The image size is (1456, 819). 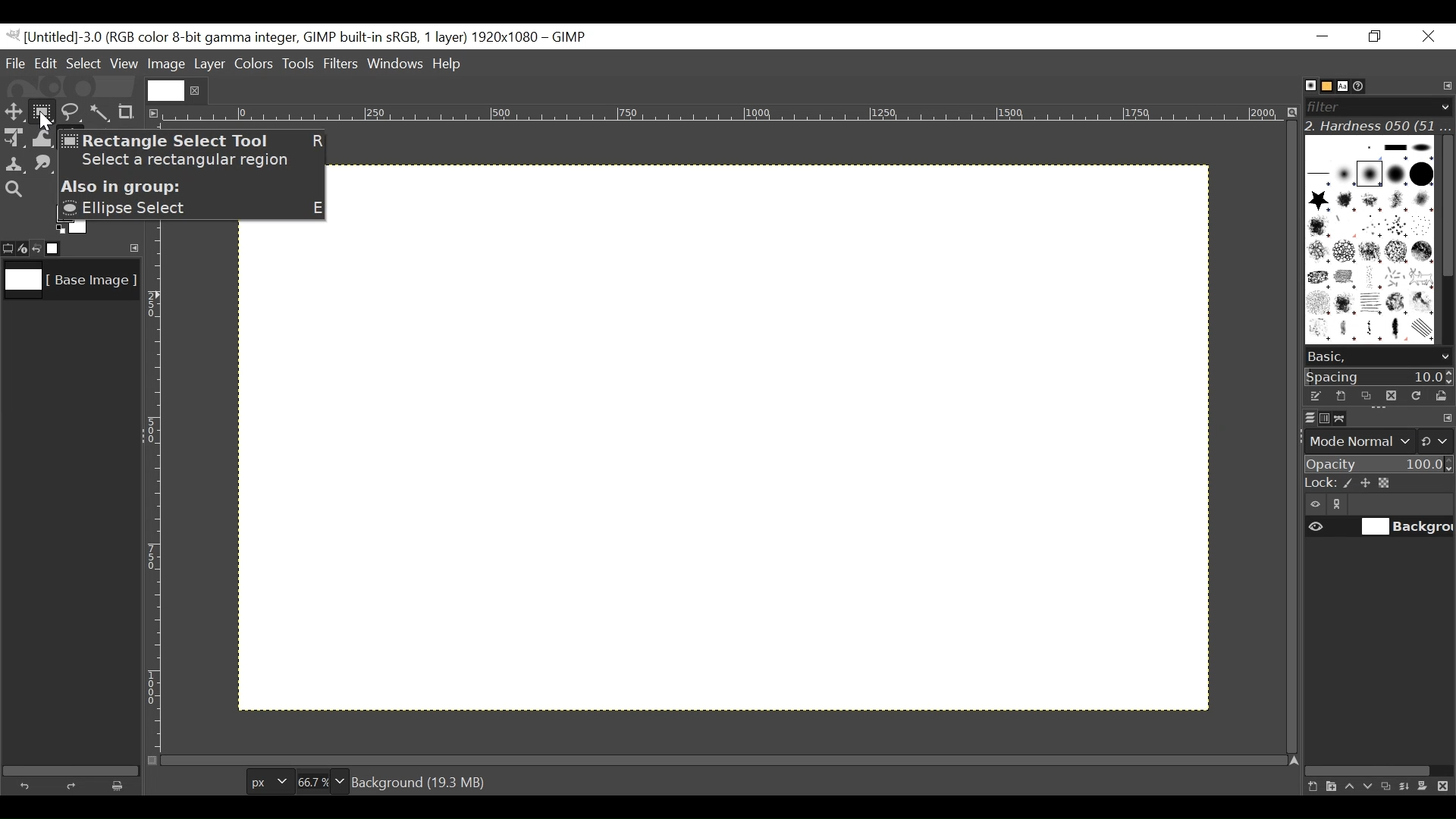 I want to click on Lock, so click(x=1378, y=484).